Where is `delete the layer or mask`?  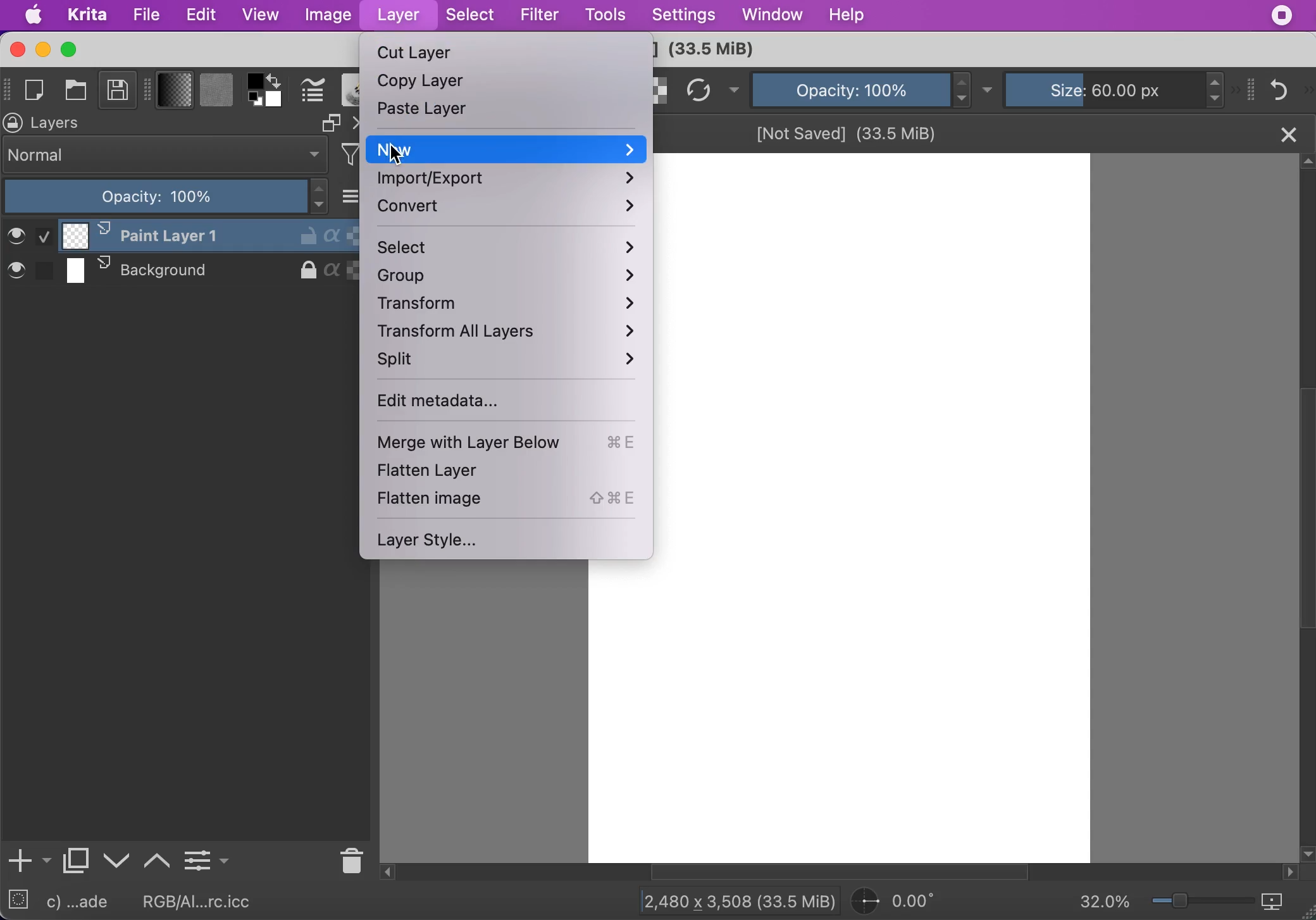 delete the layer or mask is located at coordinates (349, 859).